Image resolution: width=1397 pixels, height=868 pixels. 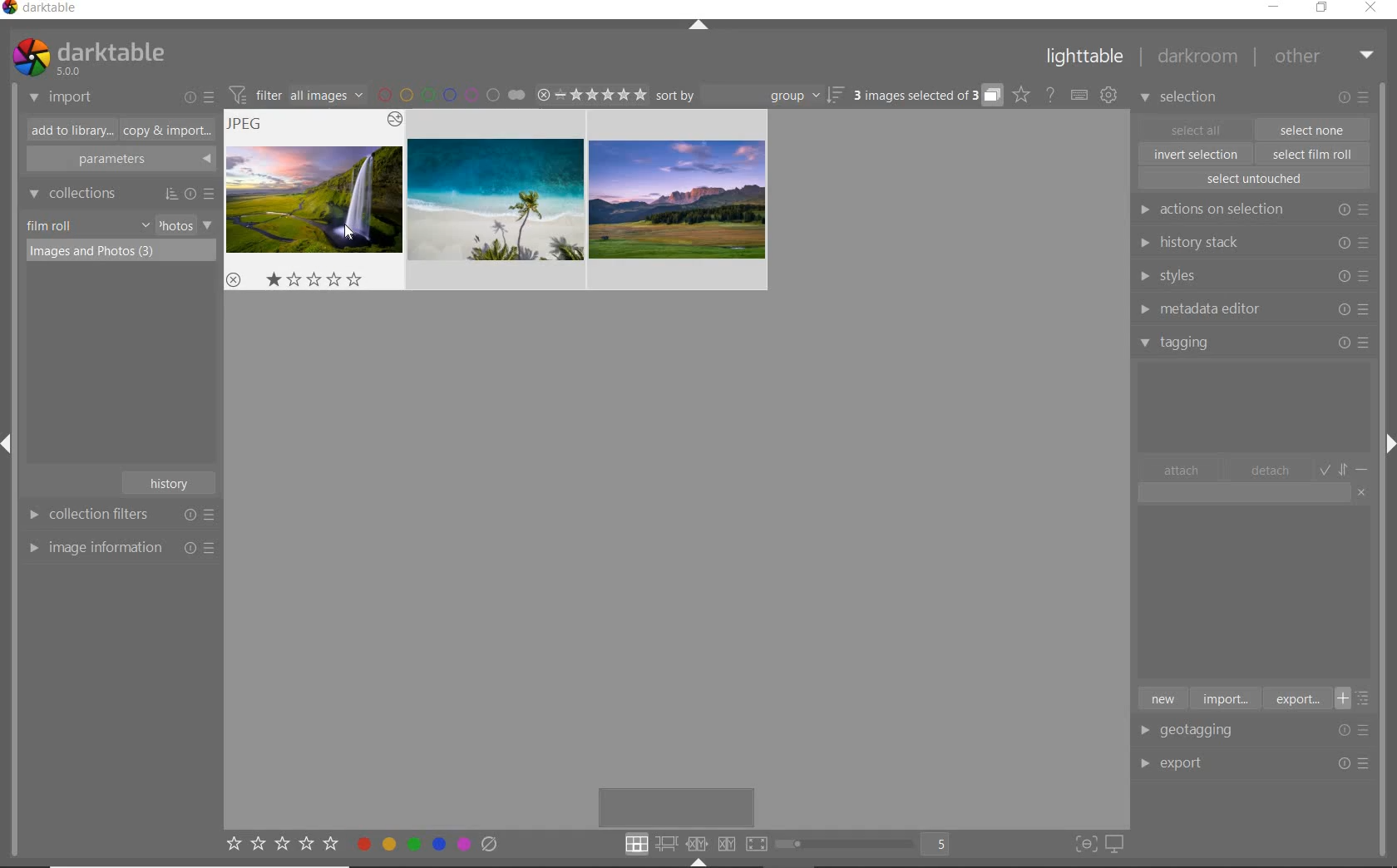 What do you see at coordinates (175, 225) in the screenshot?
I see `photos` at bounding box center [175, 225].